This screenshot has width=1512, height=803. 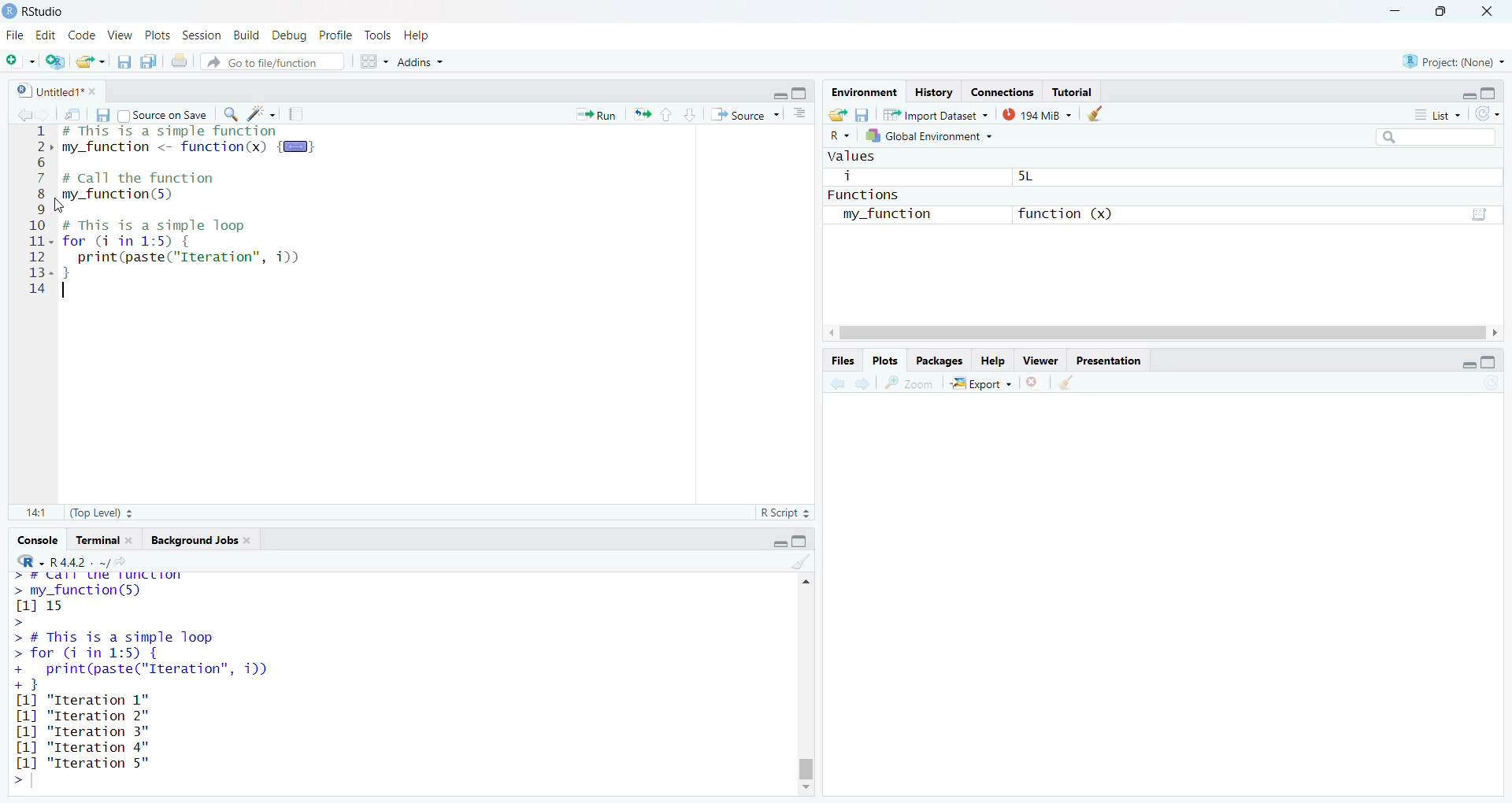 I want to click on edit, so click(x=46, y=35).